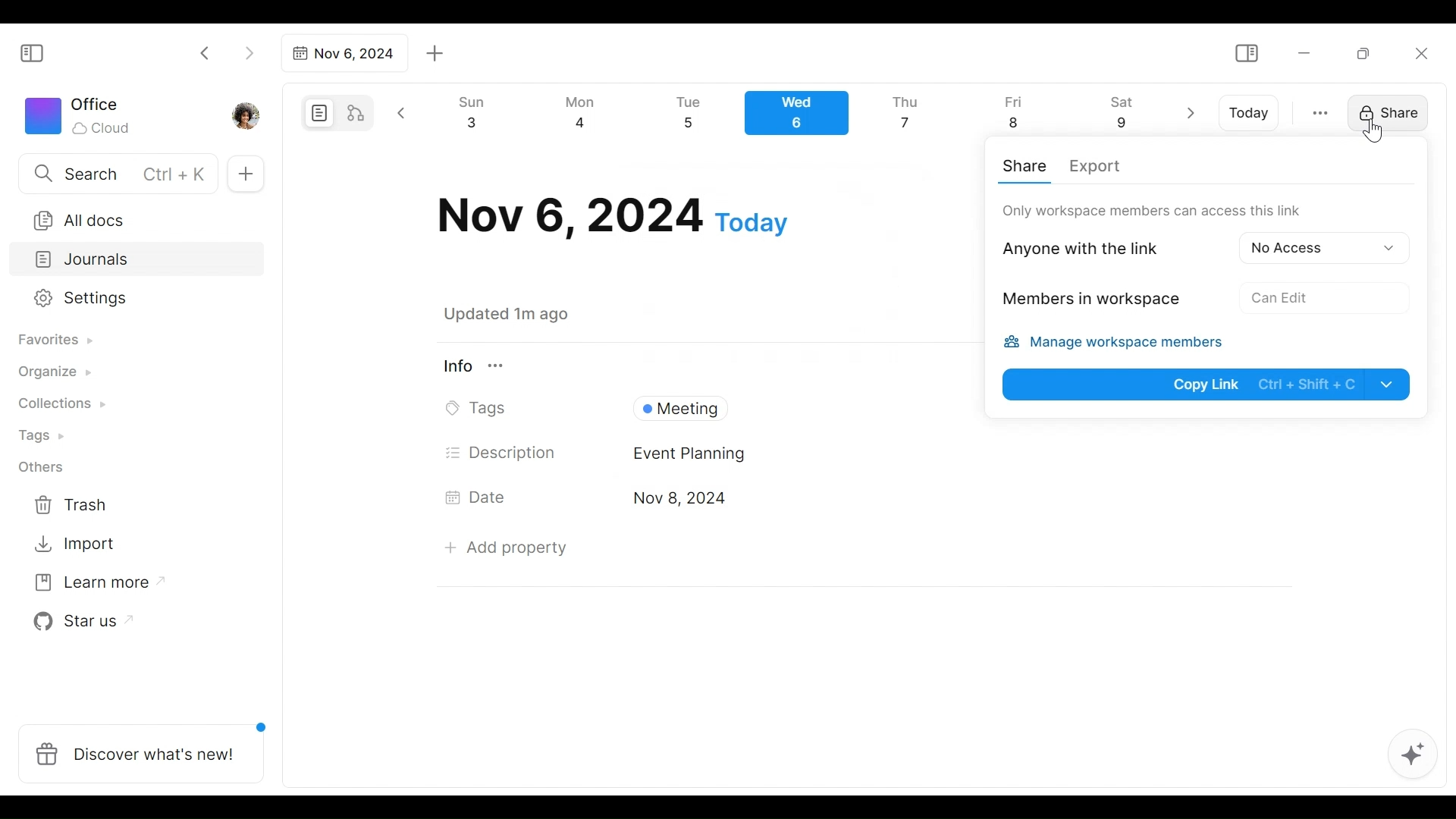 This screenshot has width=1456, height=819. What do you see at coordinates (954, 500) in the screenshot?
I see `Date's Field` at bounding box center [954, 500].